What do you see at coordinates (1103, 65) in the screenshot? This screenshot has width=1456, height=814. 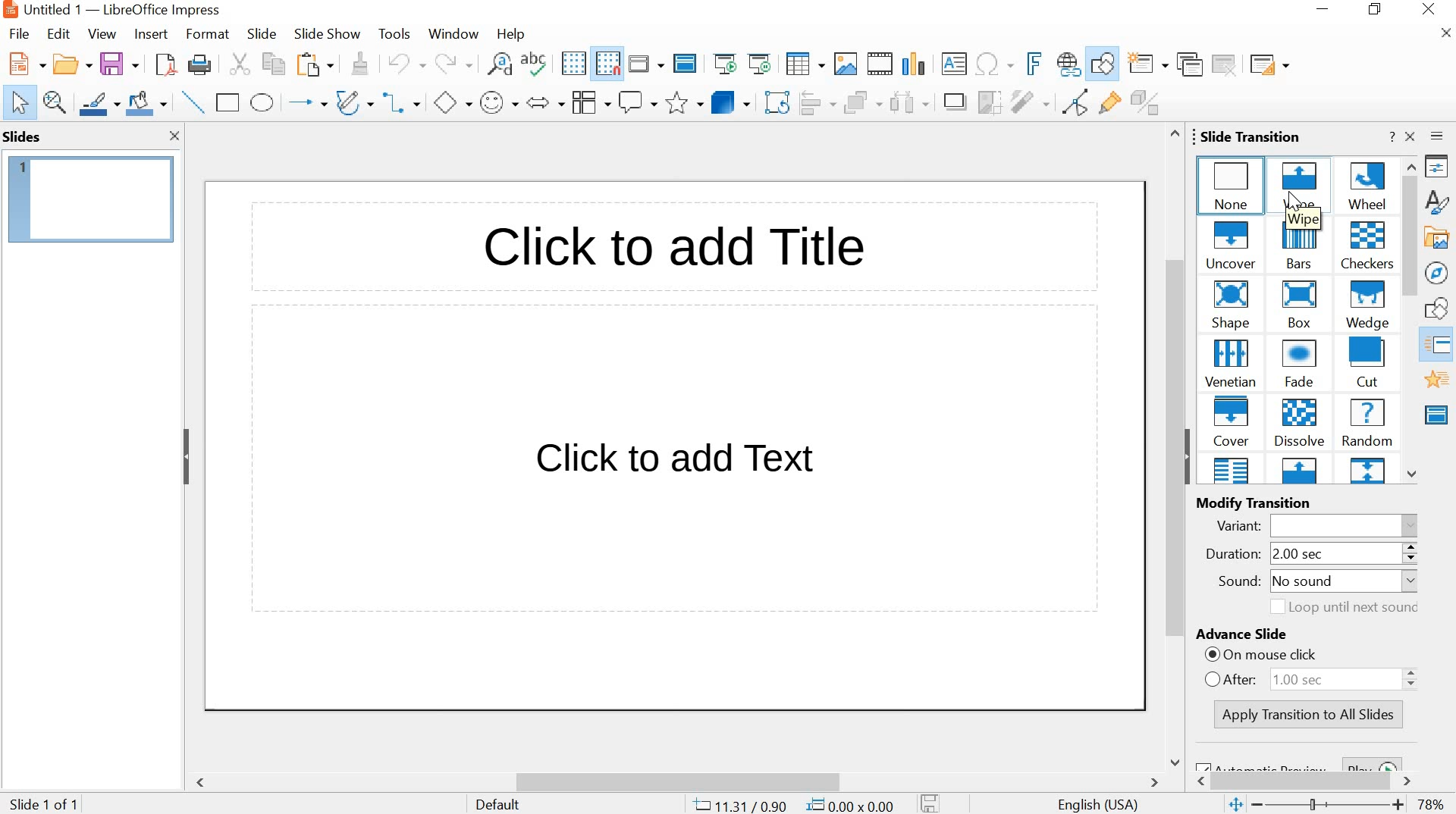 I see `Show draw functions` at bounding box center [1103, 65].